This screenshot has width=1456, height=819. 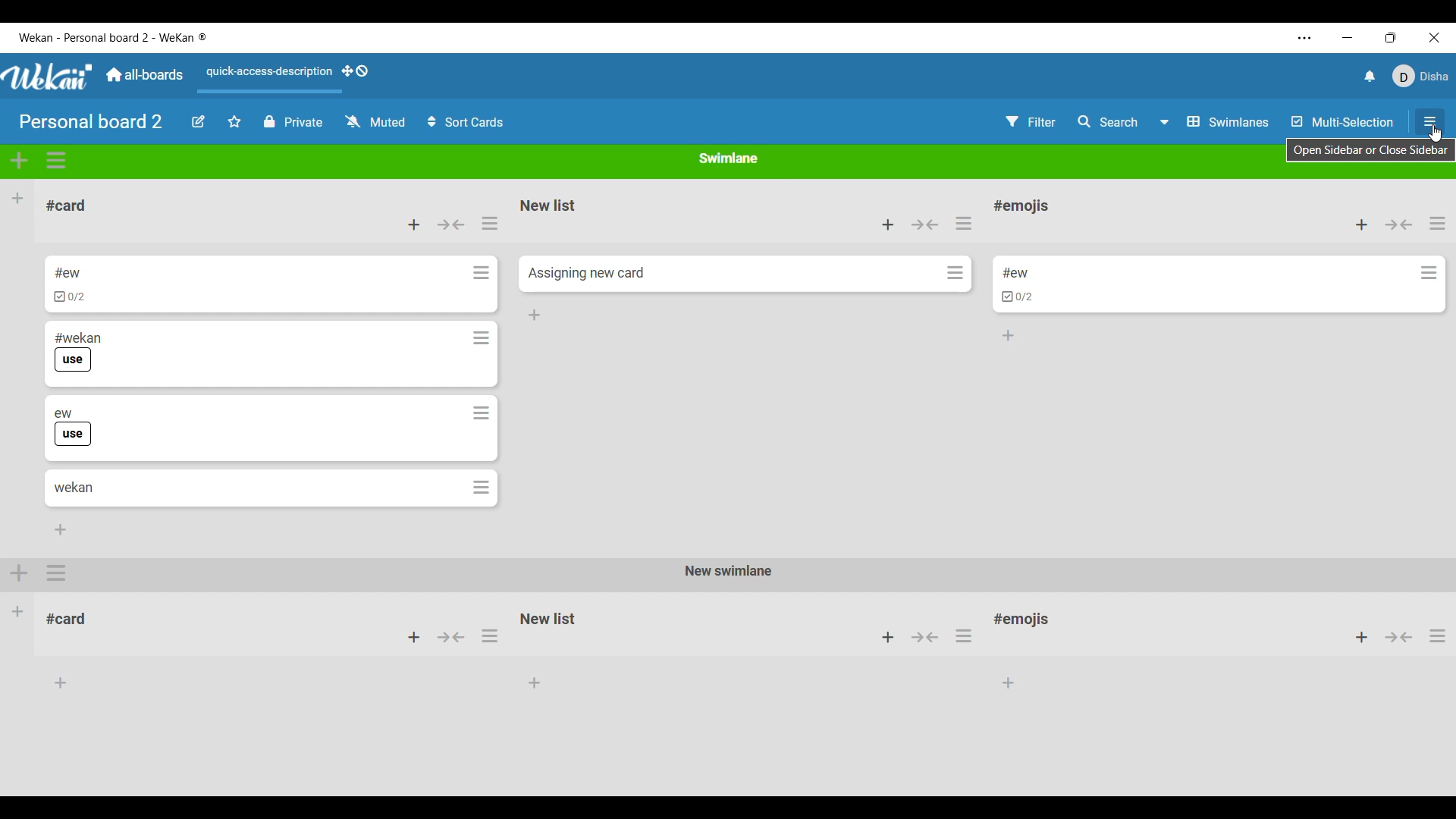 I want to click on Card name and checklist , so click(x=69, y=284).